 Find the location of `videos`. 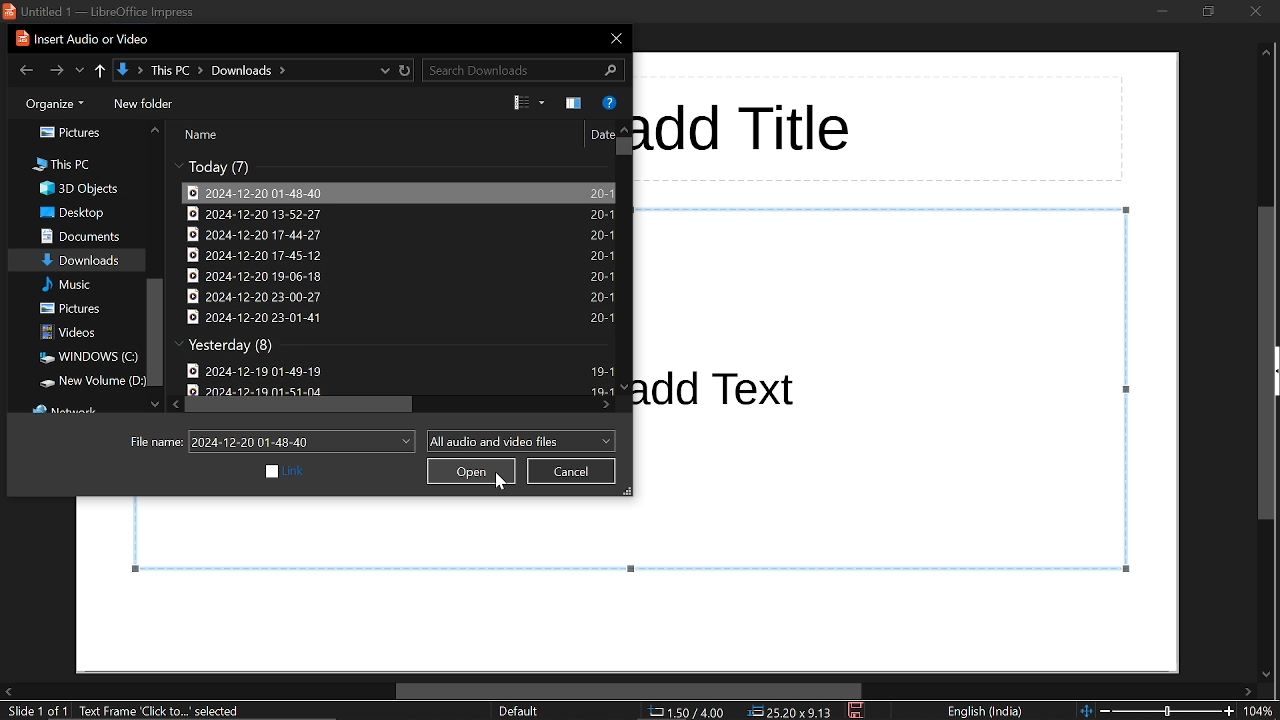

videos is located at coordinates (81, 333).